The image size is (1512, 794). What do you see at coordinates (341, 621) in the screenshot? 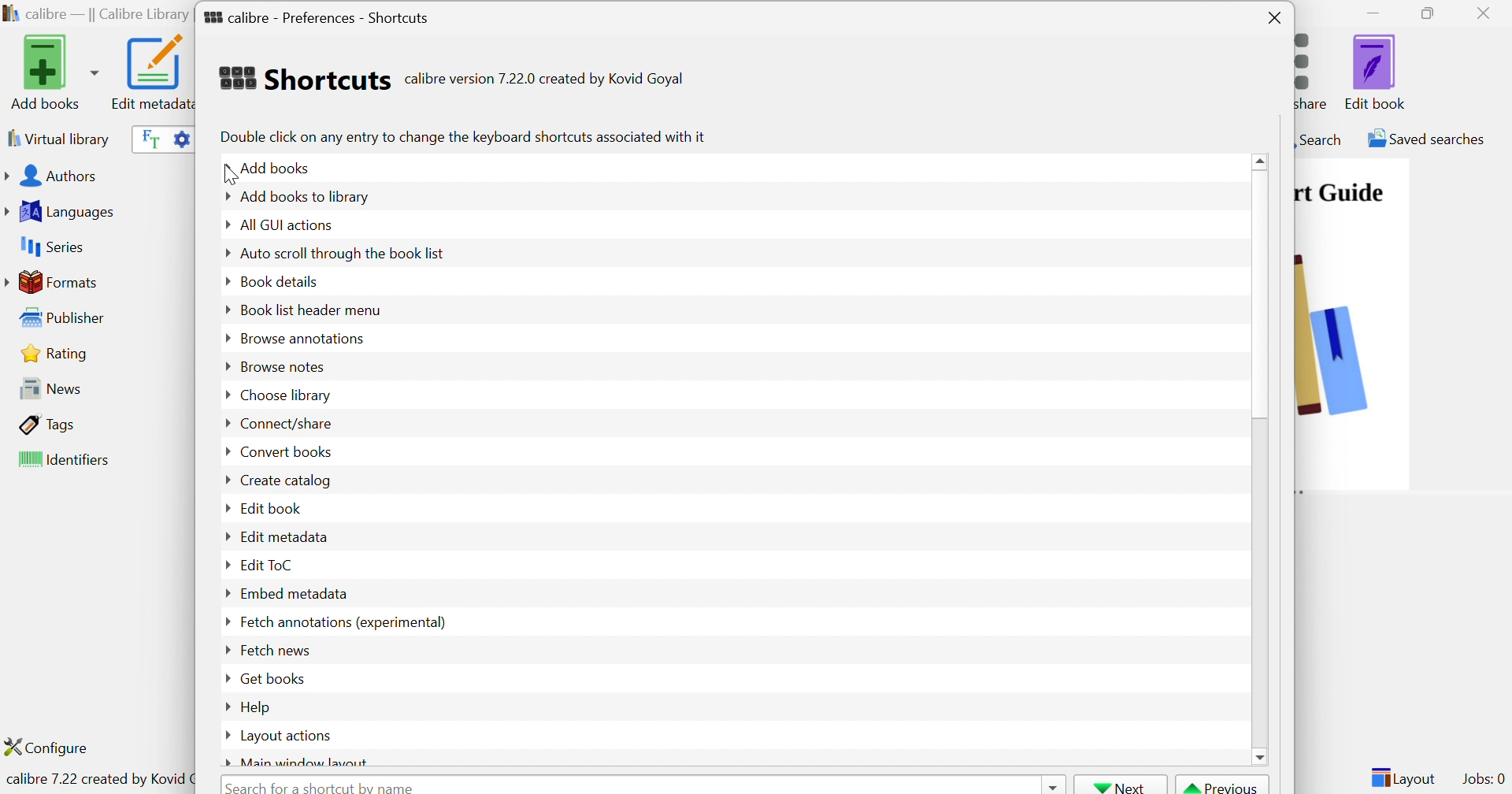
I see `Fetch annotations (experimental)` at bounding box center [341, 621].